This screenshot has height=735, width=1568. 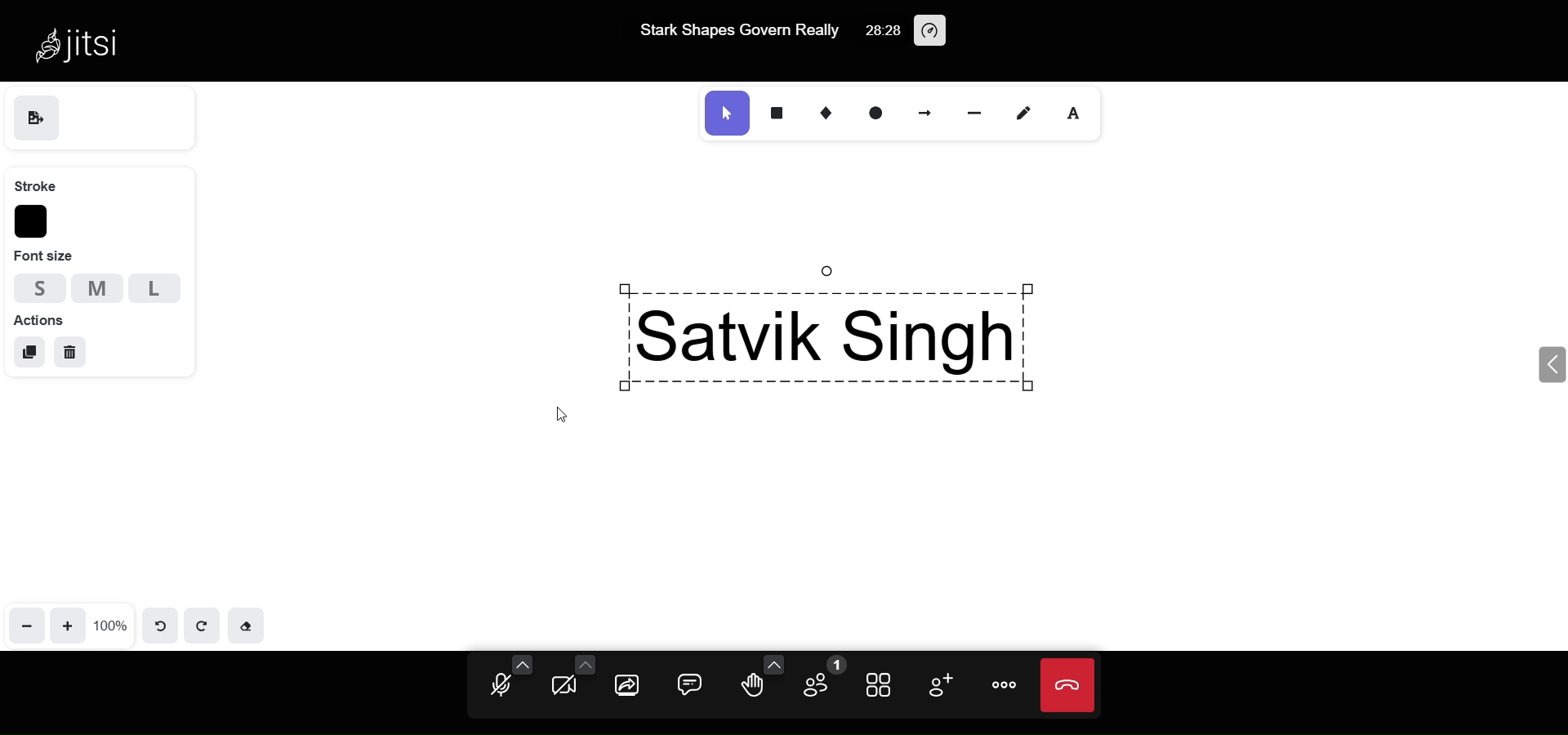 What do you see at coordinates (583, 664) in the screenshot?
I see `more camera option` at bounding box center [583, 664].